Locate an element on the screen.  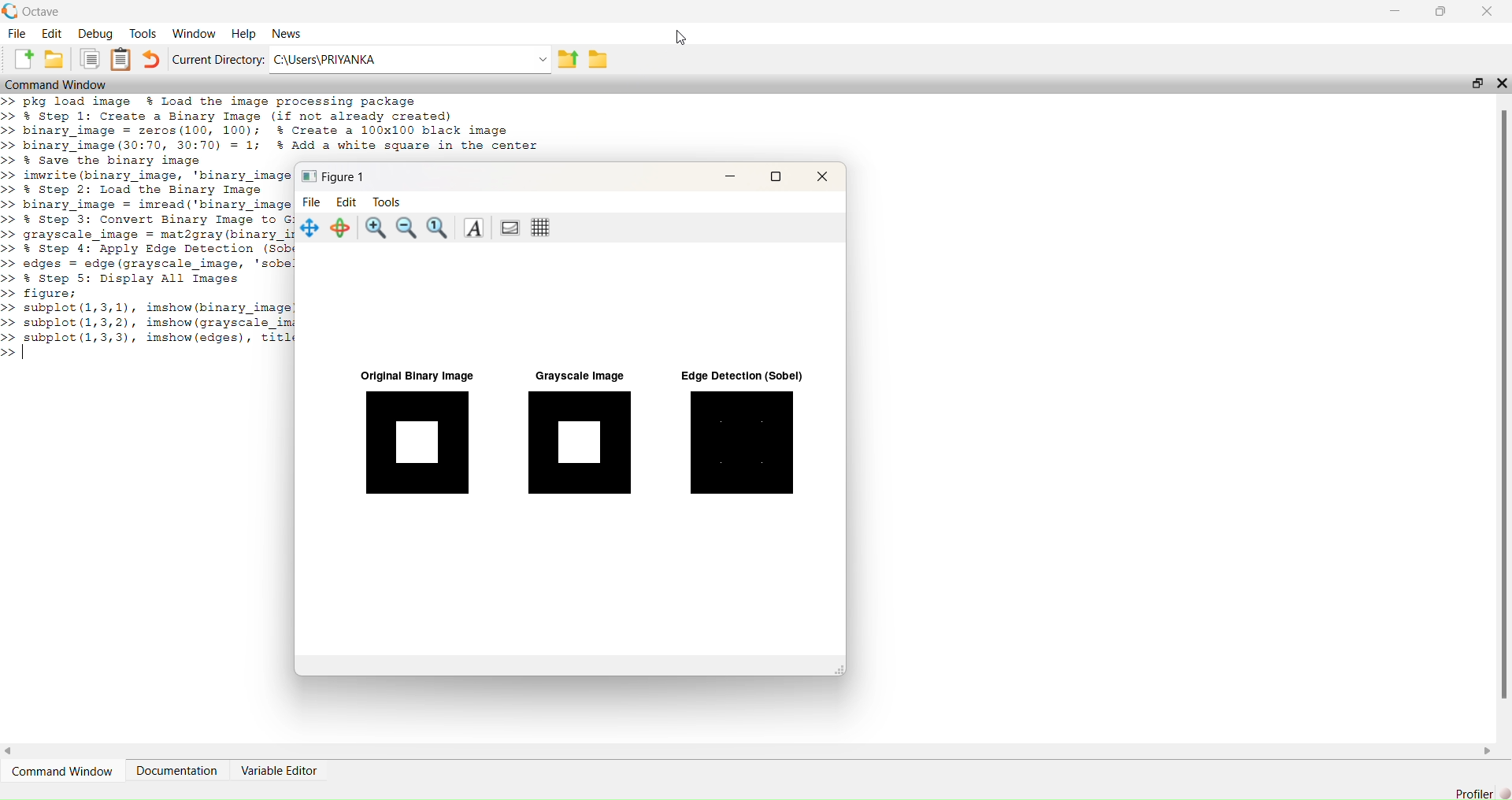
C:\Users\PRIYANKA is located at coordinates (326, 59).